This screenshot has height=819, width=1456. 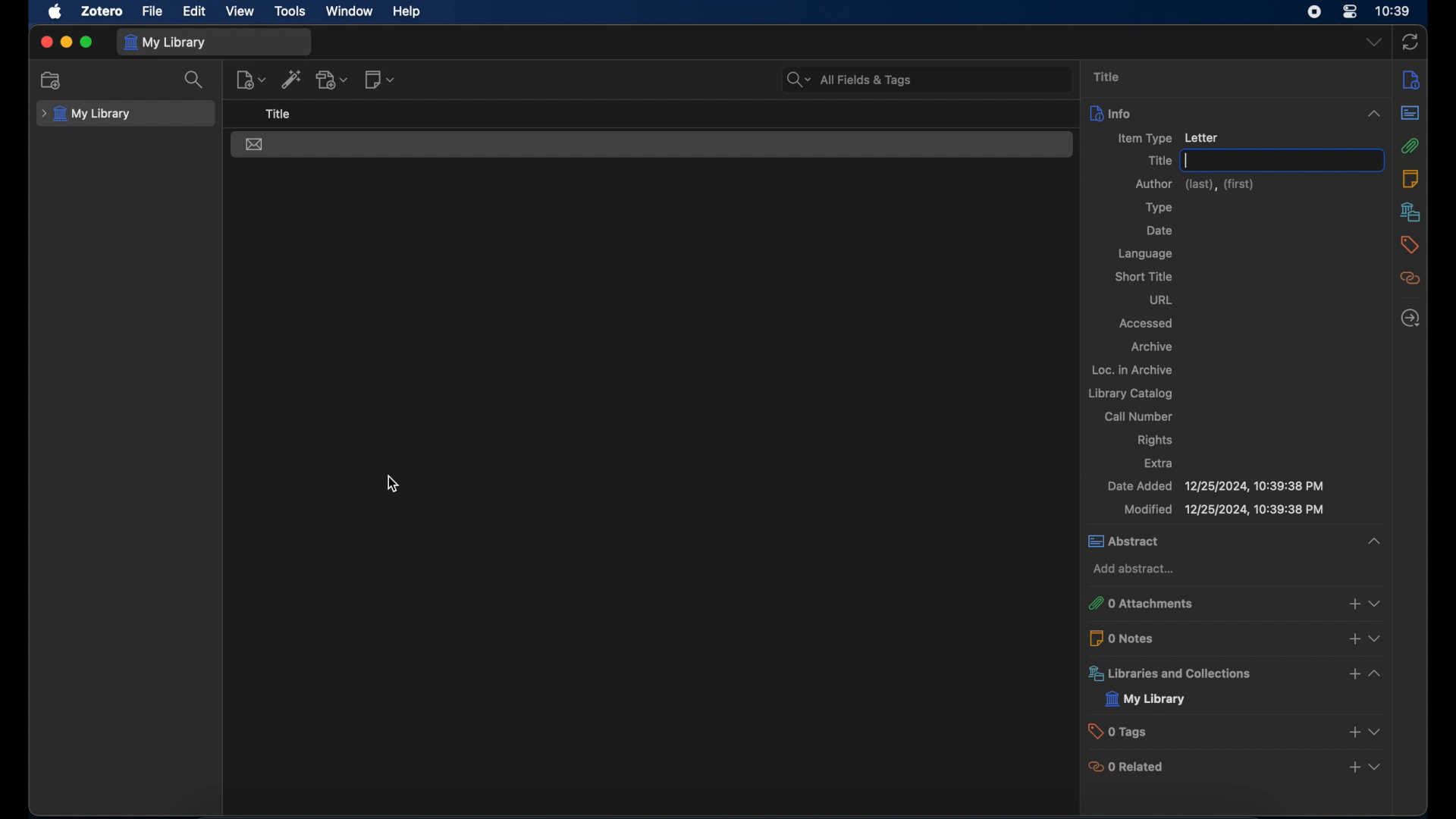 What do you see at coordinates (45, 42) in the screenshot?
I see `close` at bounding box center [45, 42].